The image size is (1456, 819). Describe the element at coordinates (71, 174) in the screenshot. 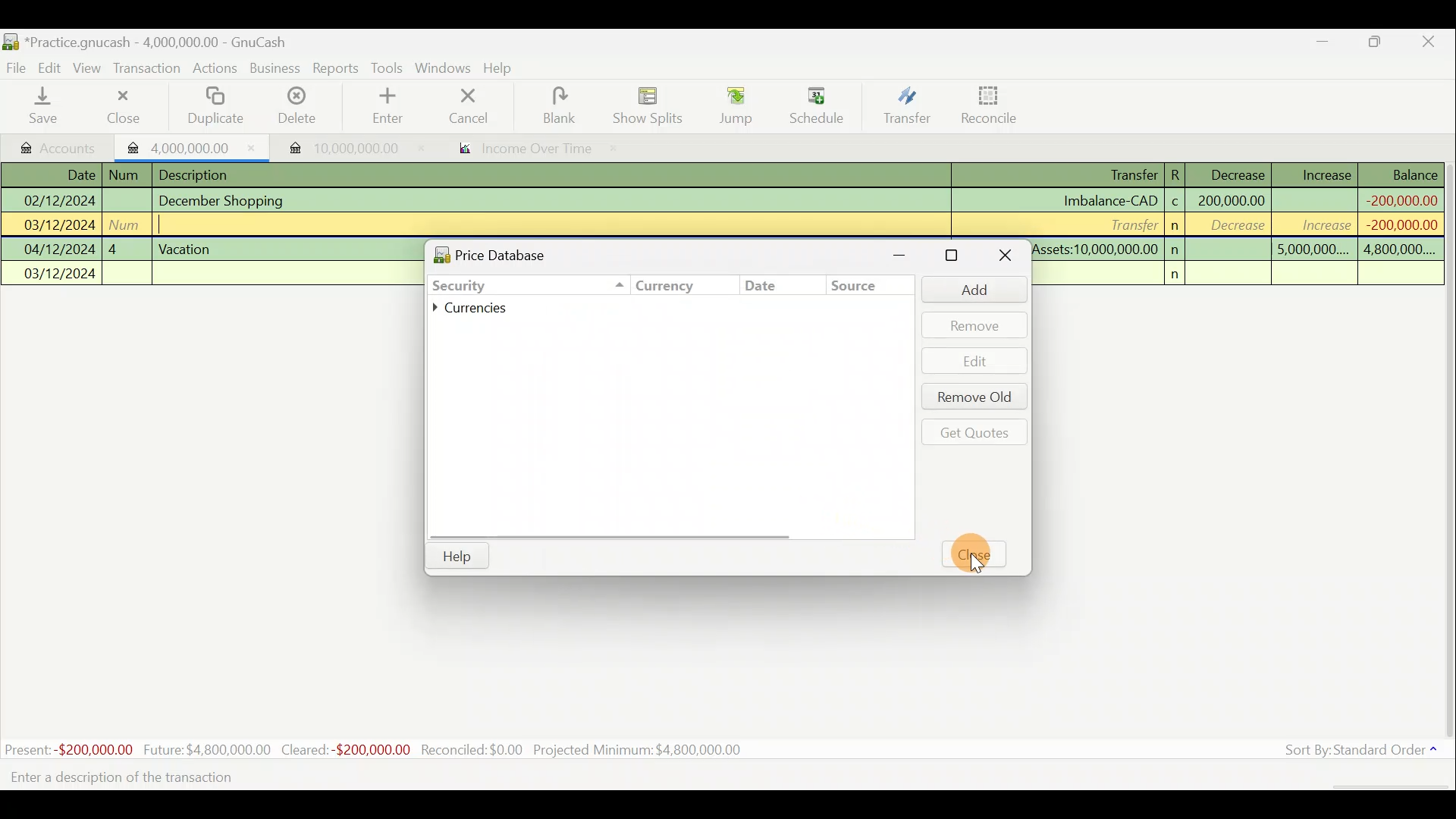

I see `Date ` at that location.